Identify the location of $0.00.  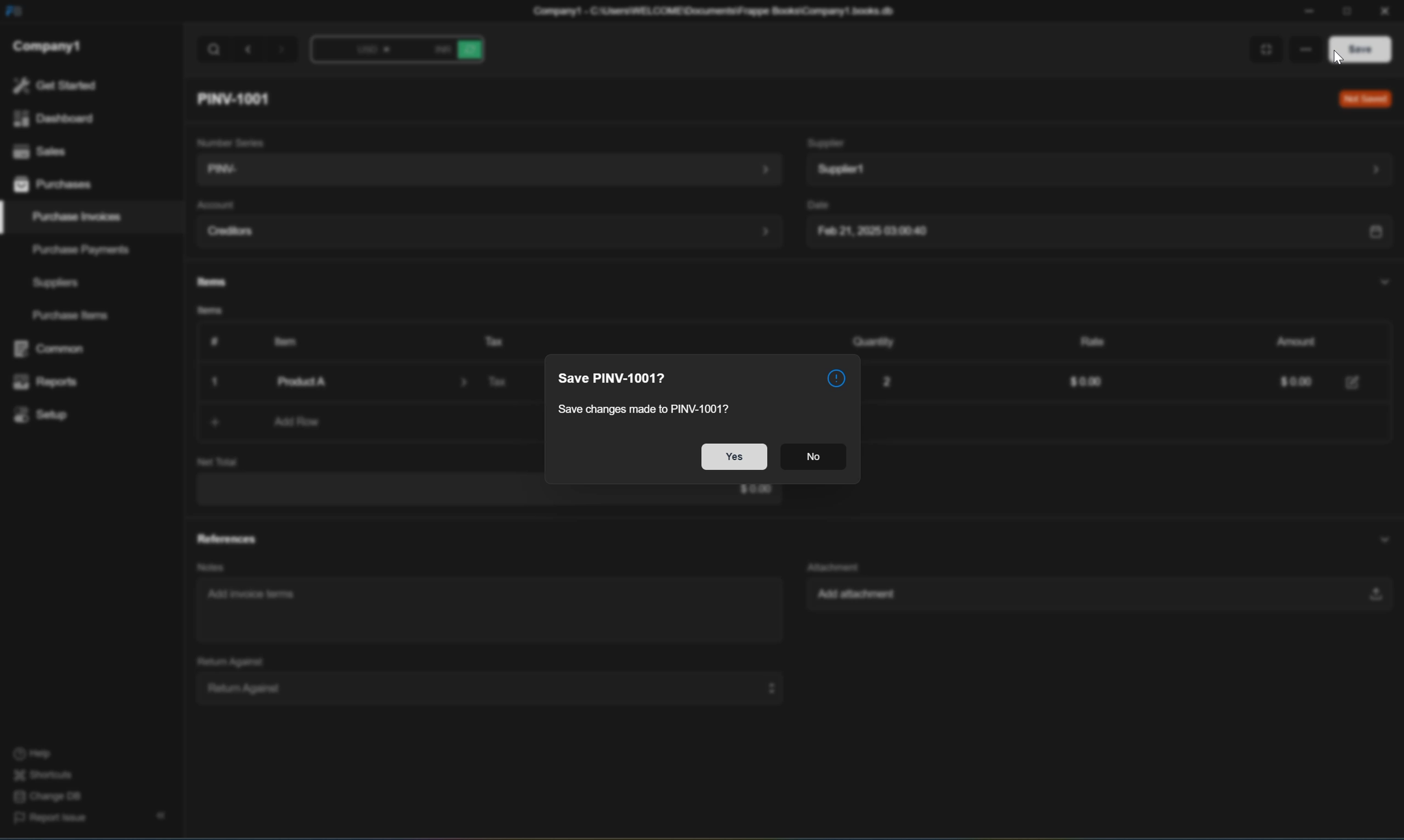
(1082, 383).